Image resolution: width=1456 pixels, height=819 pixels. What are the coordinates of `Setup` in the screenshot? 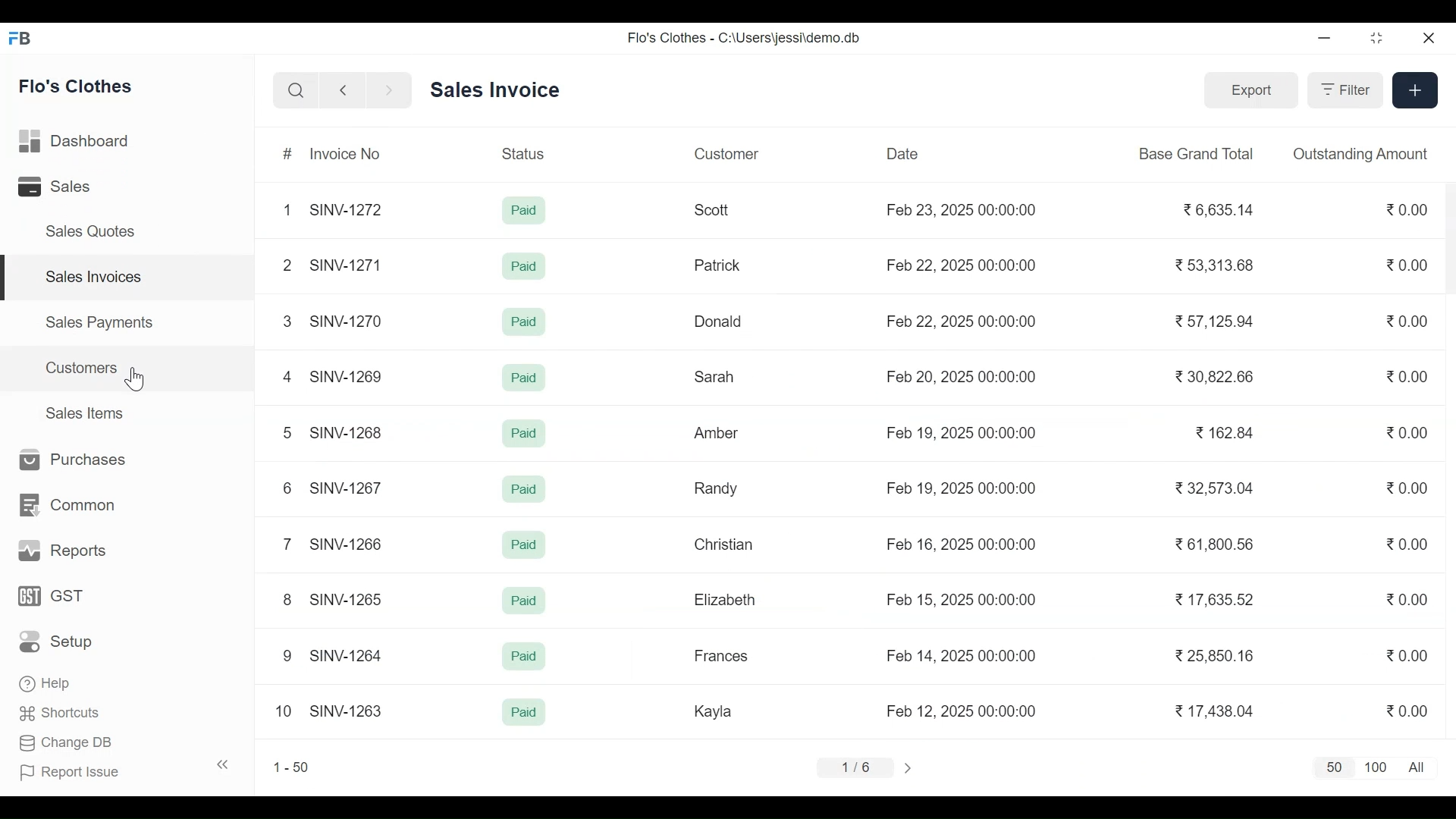 It's located at (60, 641).